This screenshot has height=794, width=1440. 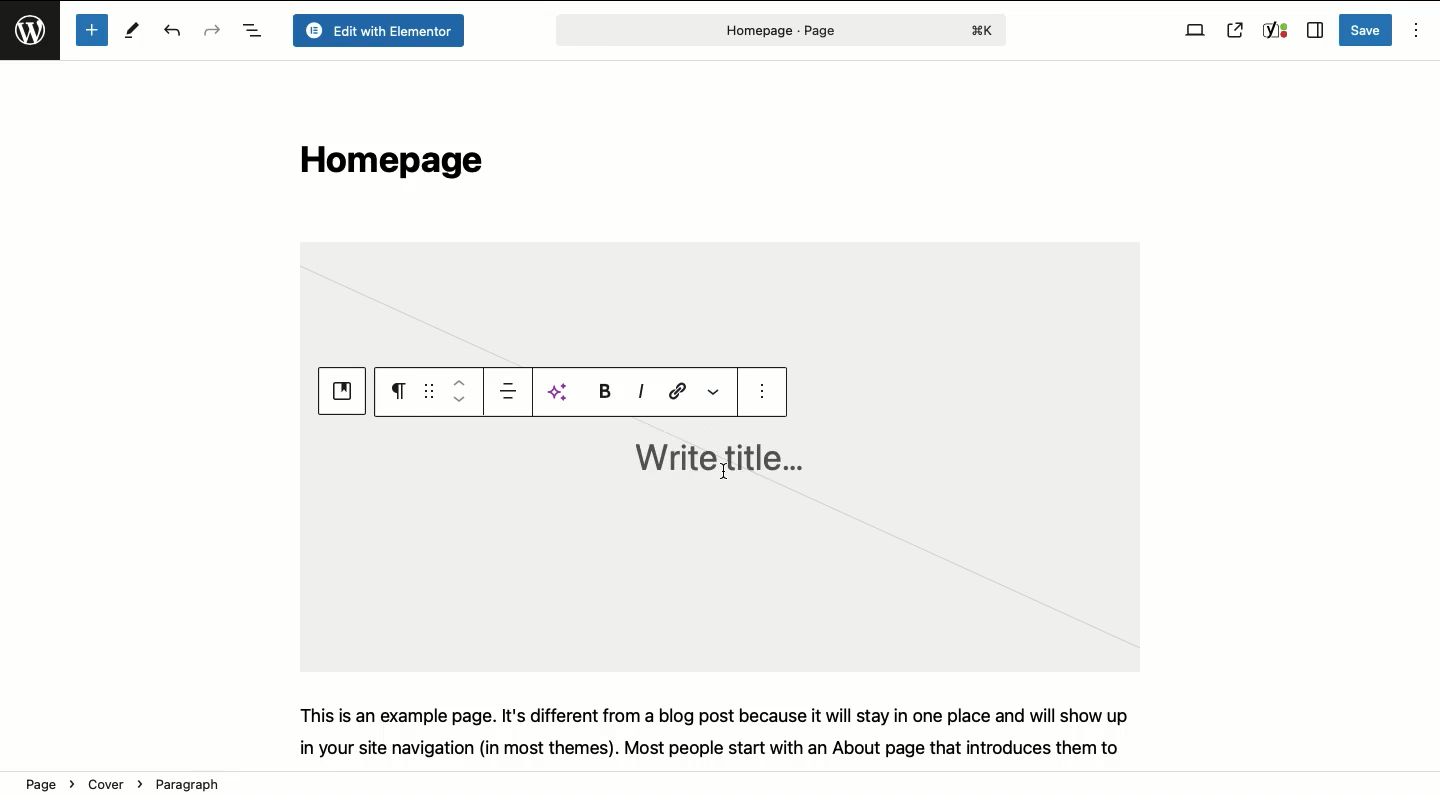 What do you see at coordinates (641, 392) in the screenshot?
I see `Italics` at bounding box center [641, 392].